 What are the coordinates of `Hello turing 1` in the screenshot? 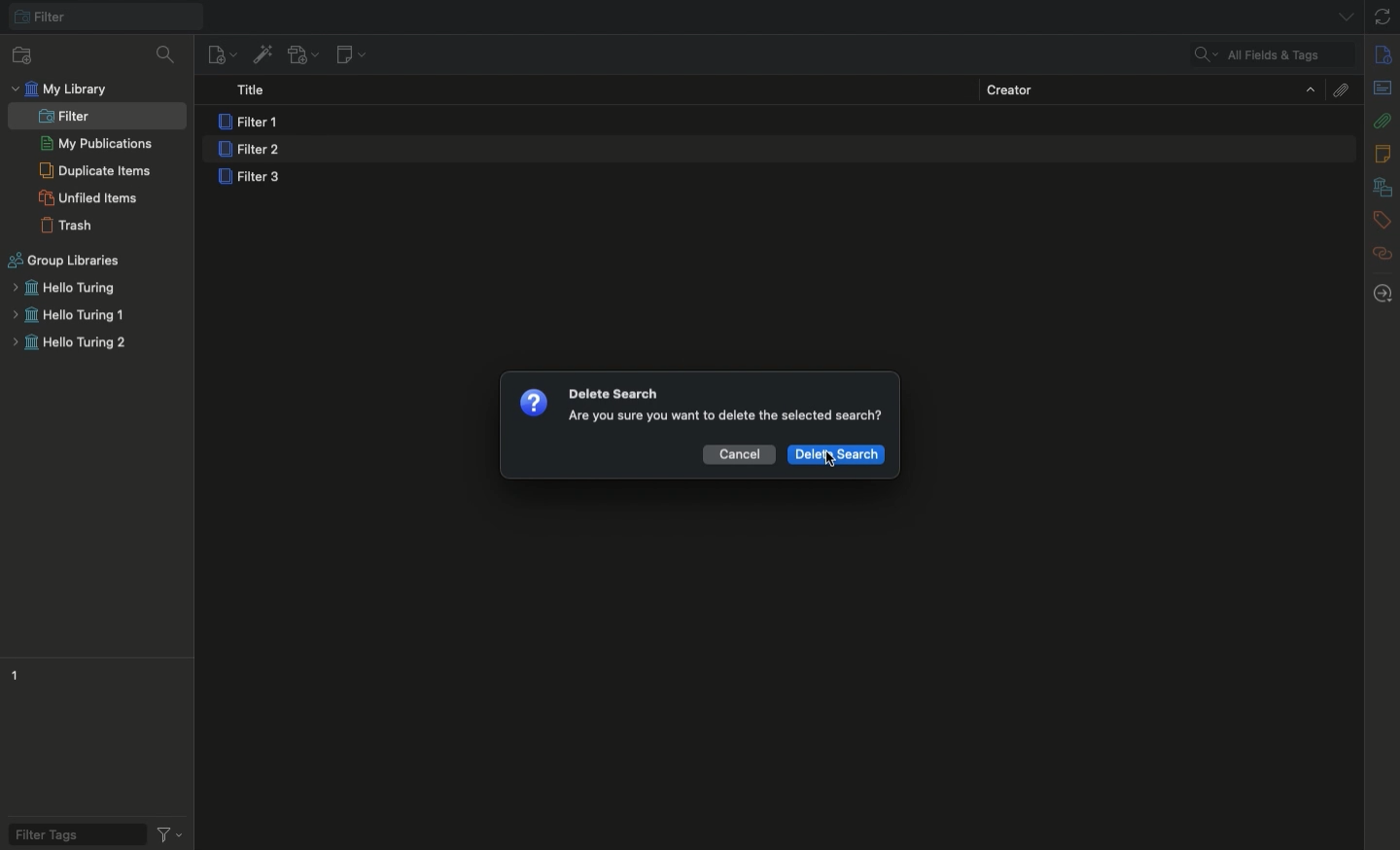 It's located at (68, 316).